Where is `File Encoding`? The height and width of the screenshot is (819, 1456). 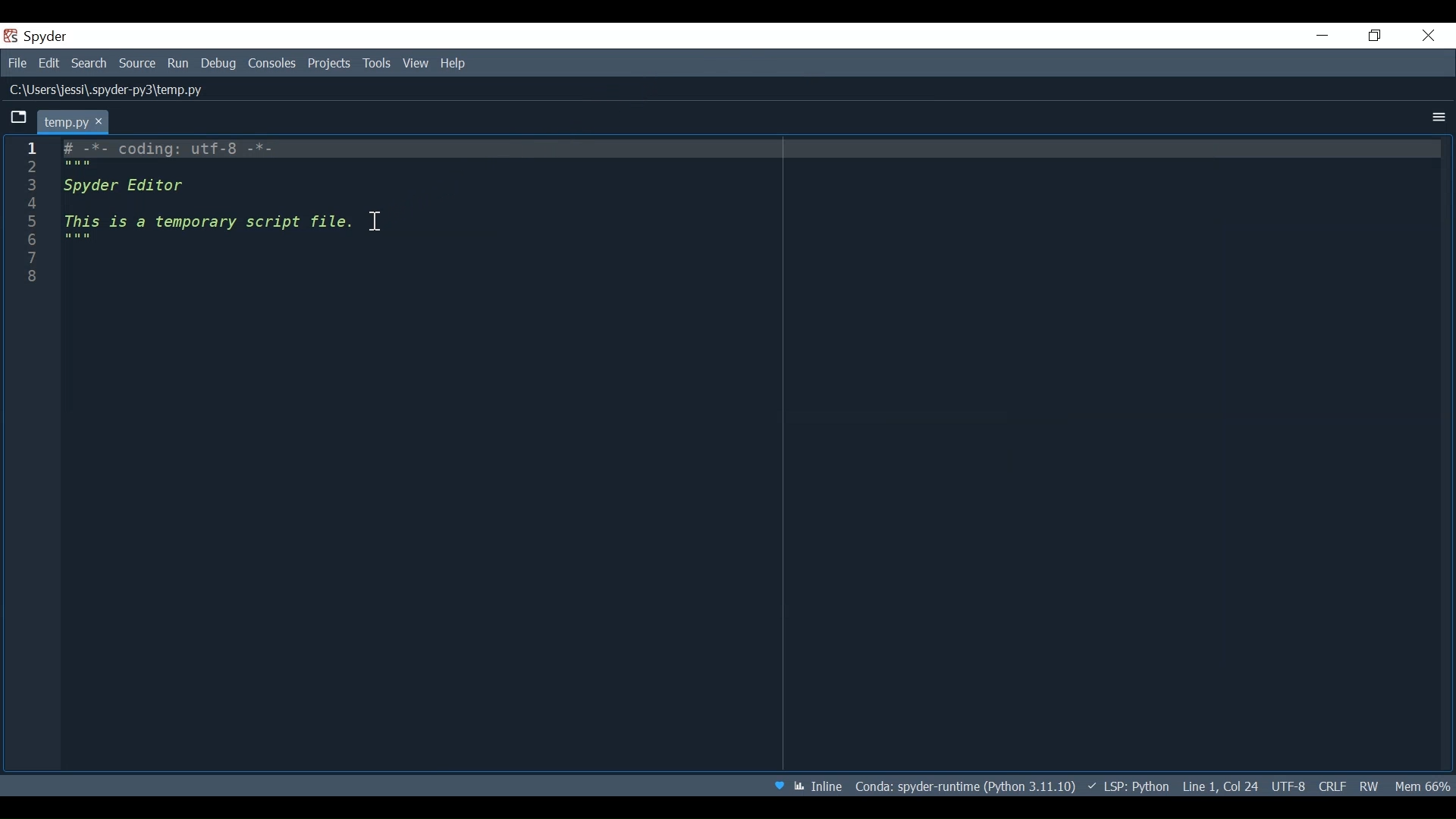 File Encoding is located at coordinates (1290, 787).